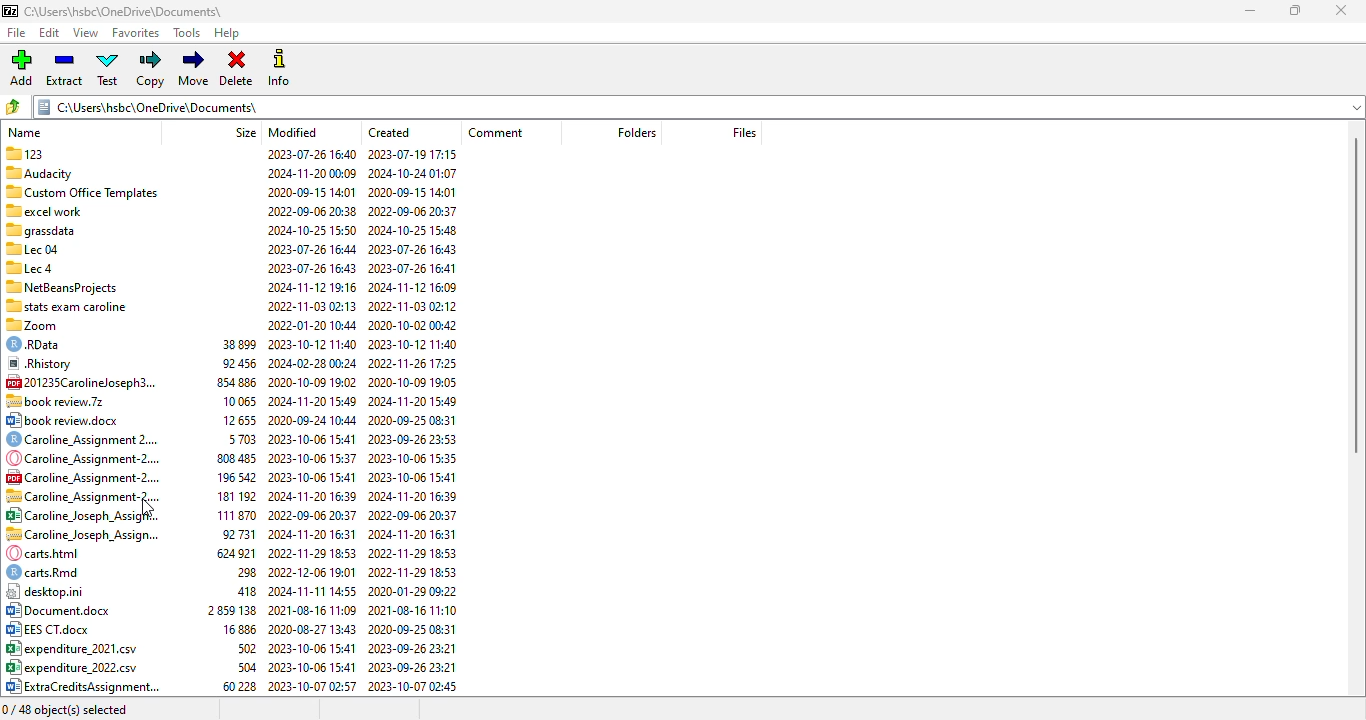 The height and width of the screenshot is (720, 1366). I want to click on | desktop.ini 418 2024-11-11 14:55 2020-01-29 09:22, so click(231, 591).